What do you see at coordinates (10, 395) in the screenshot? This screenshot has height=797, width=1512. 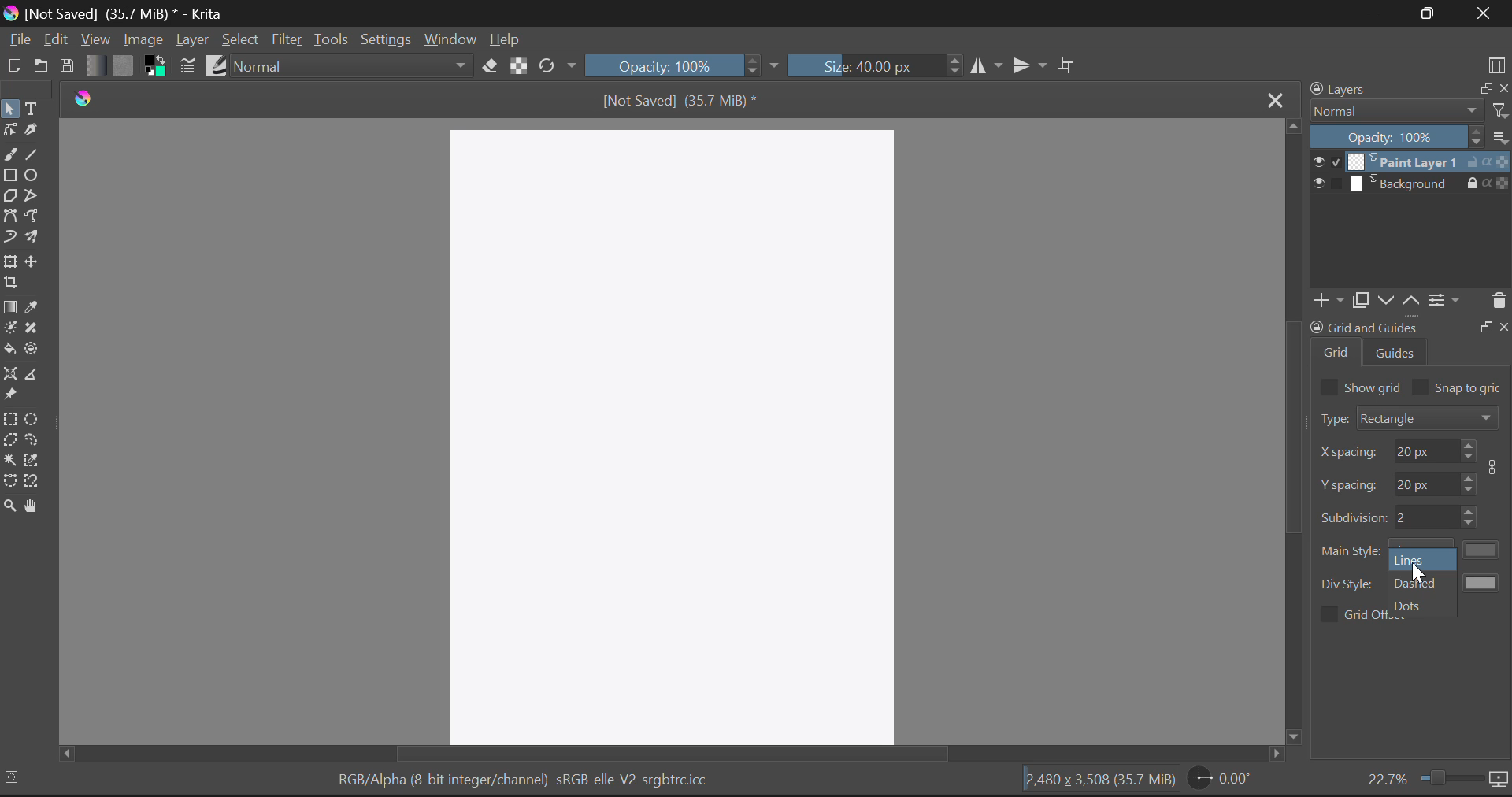 I see `Reference Image` at bounding box center [10, 395].